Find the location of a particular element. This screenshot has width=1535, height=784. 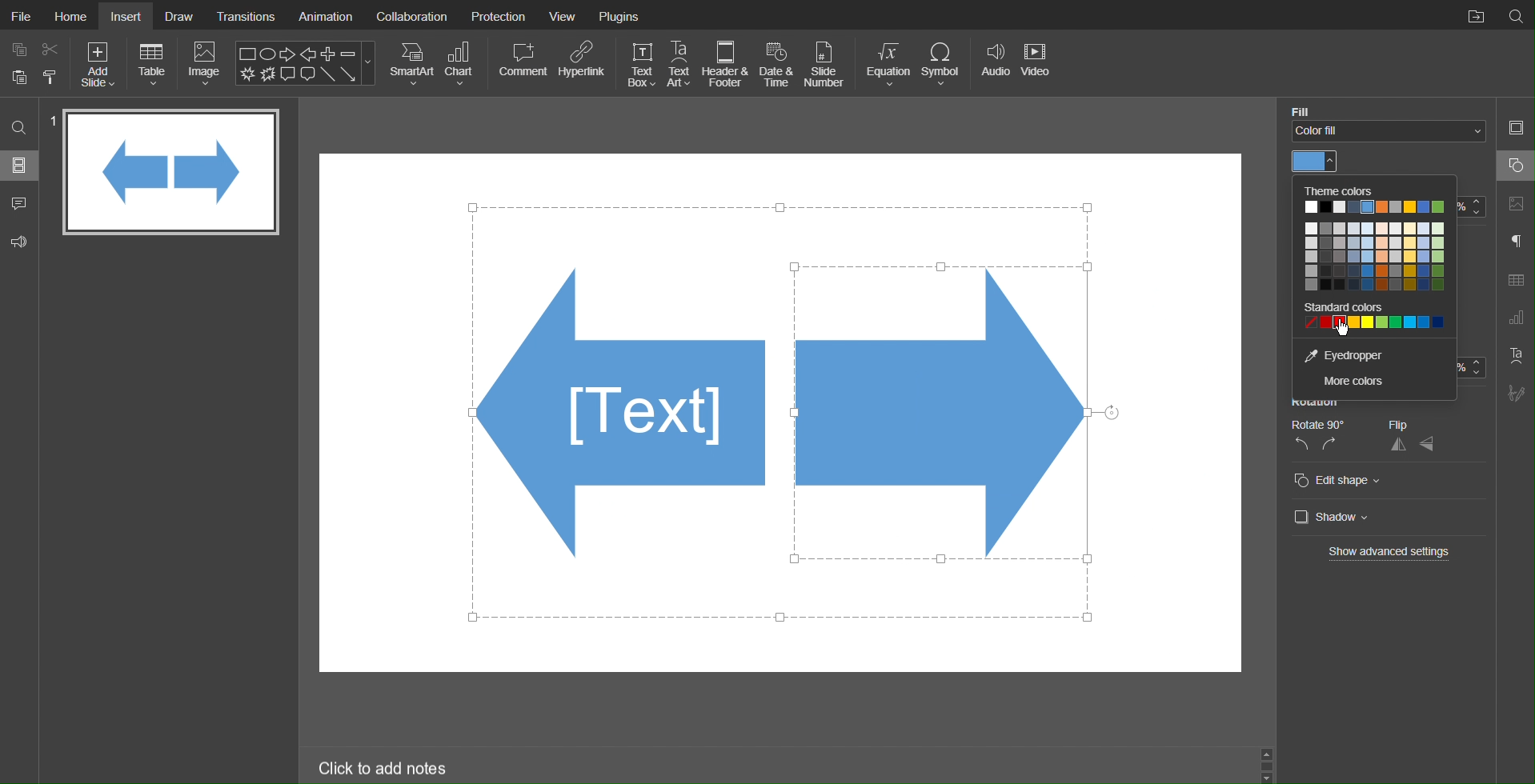

slide number is located at coordinates (50, 118).